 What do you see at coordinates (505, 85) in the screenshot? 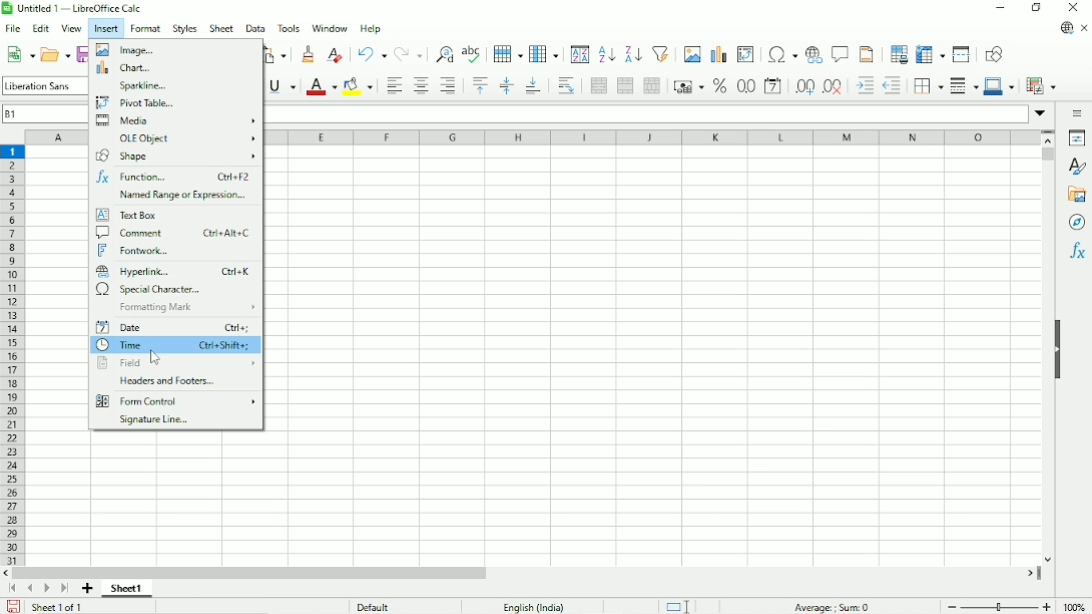
I see `Center vertically` at bounding box center [505, 85].